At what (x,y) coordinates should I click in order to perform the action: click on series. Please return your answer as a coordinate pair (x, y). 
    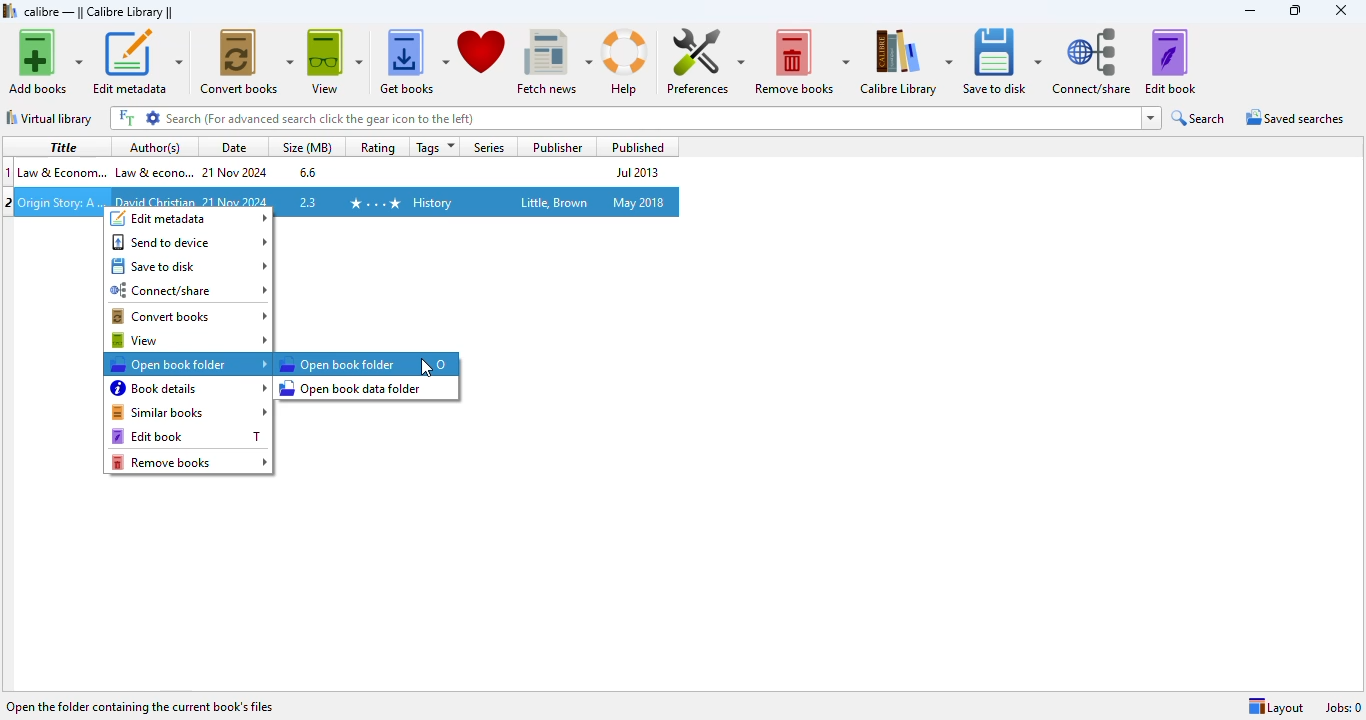
    Looking at the image, I should click on (490, 146).